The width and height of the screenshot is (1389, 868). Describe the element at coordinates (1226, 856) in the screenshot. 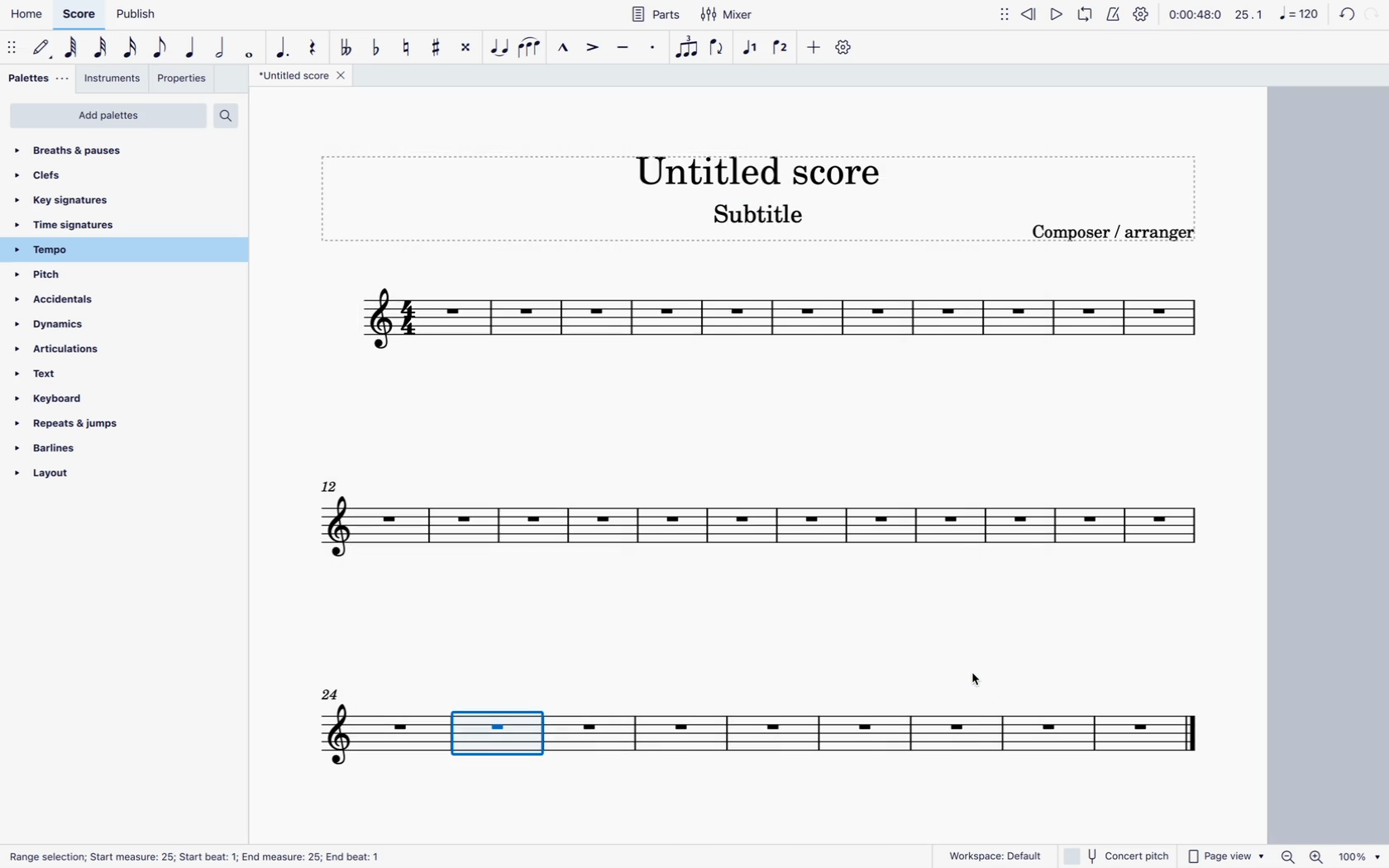

I see `page view` at that location.